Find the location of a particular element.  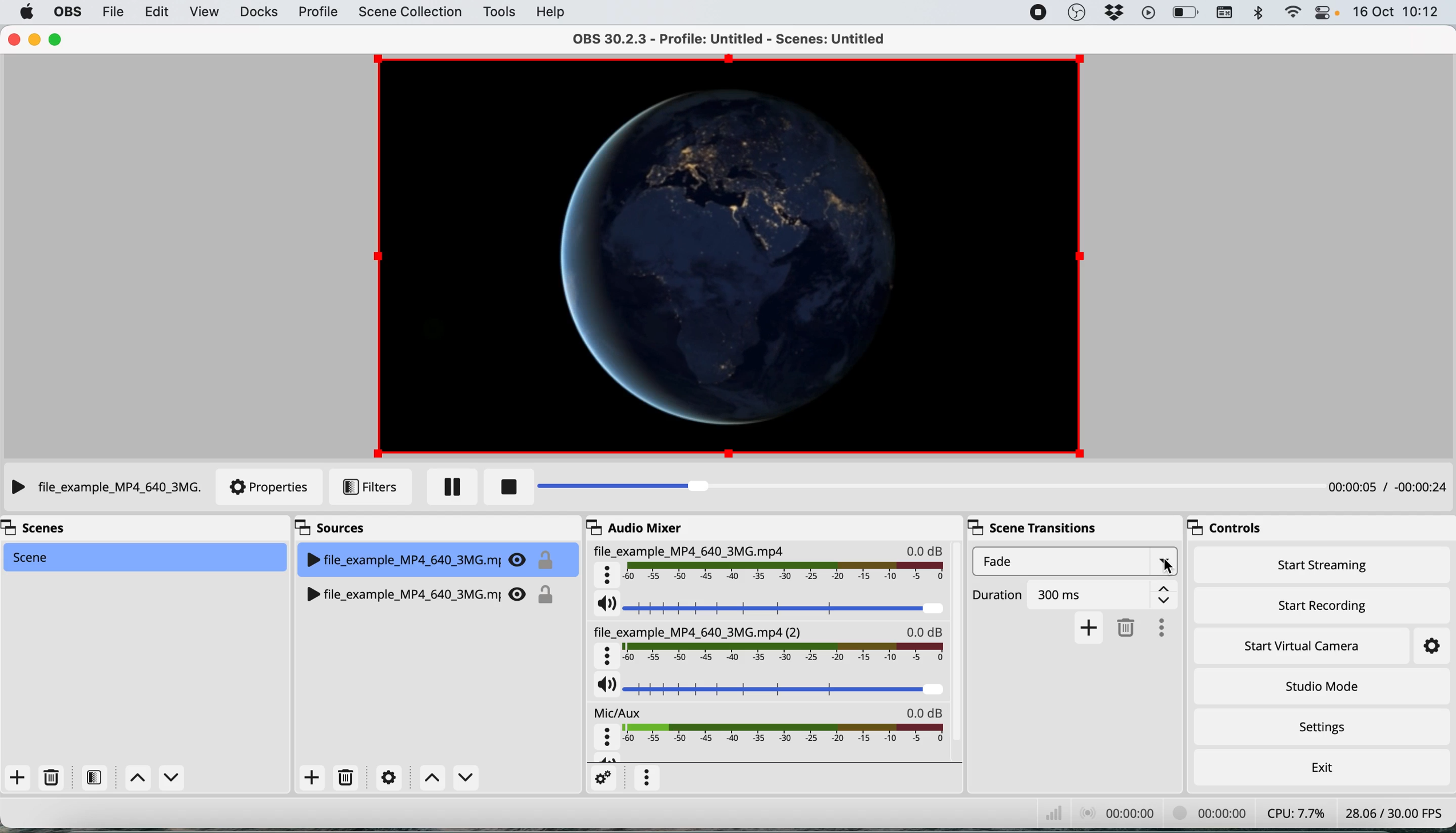

00:00: 00 is located at coordinates (1118, 815).